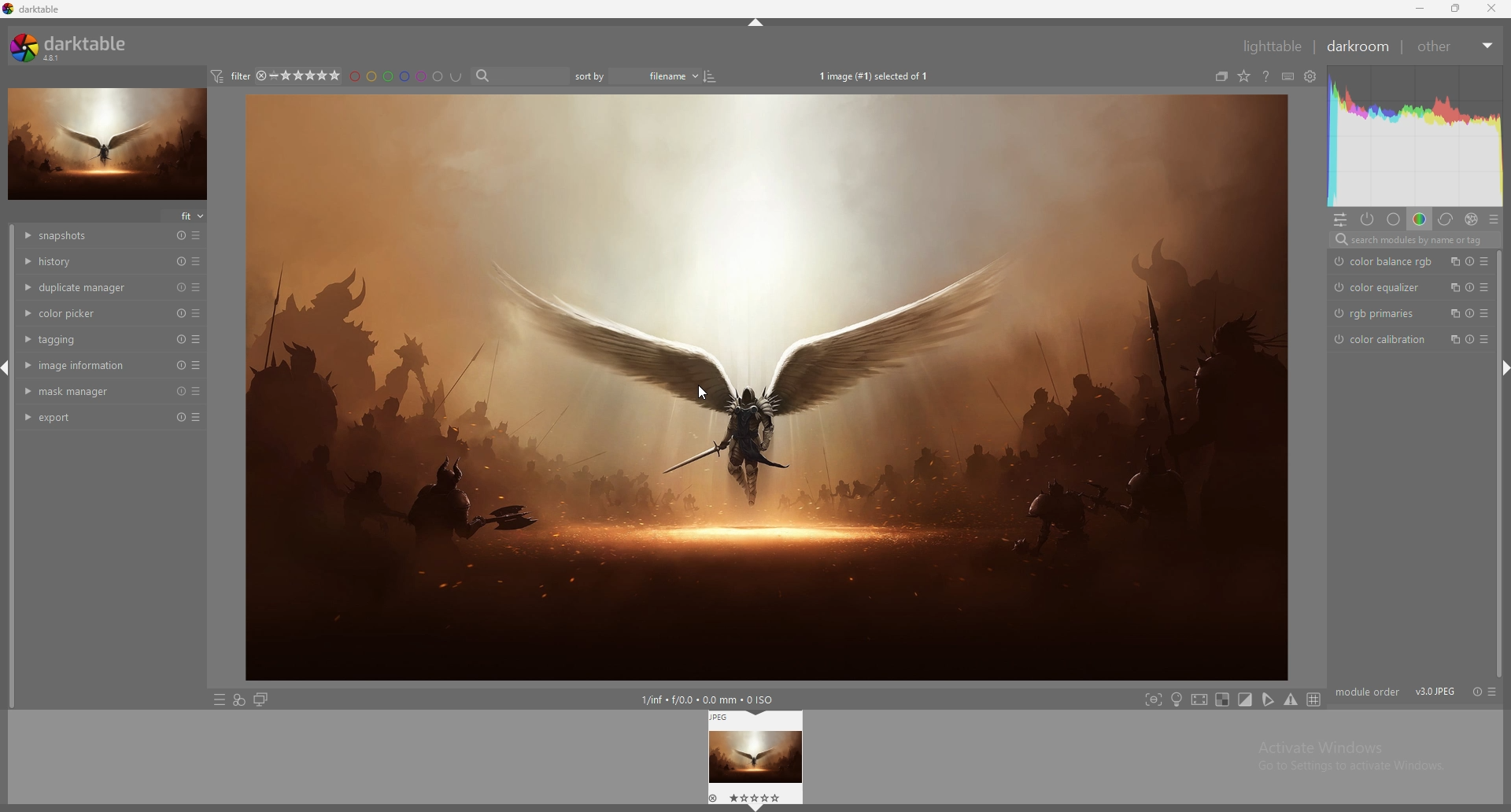  I want to click on reset, so click(1475, 692).